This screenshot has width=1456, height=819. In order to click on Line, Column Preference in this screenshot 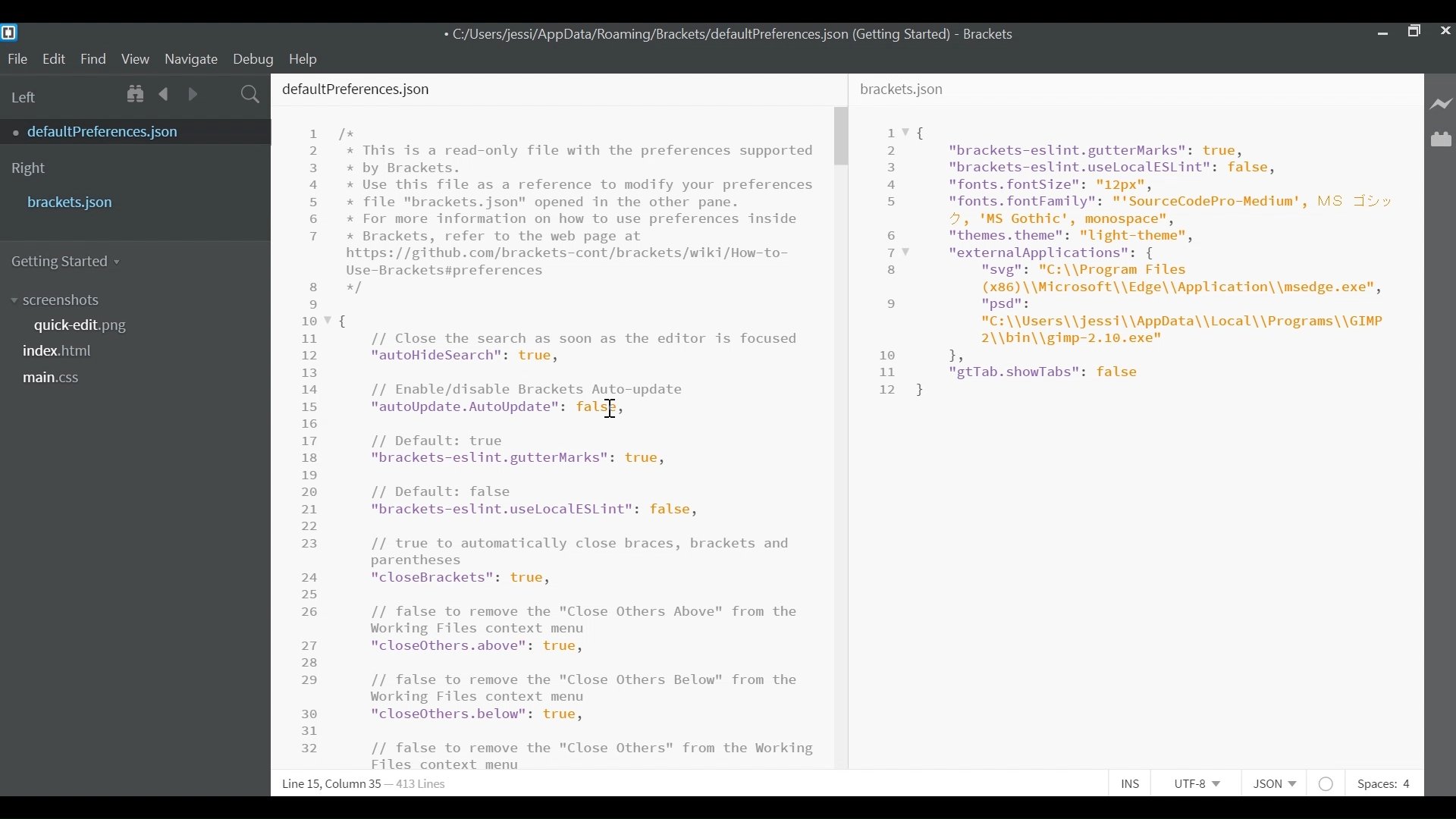, I will do `click(356, 784)`.